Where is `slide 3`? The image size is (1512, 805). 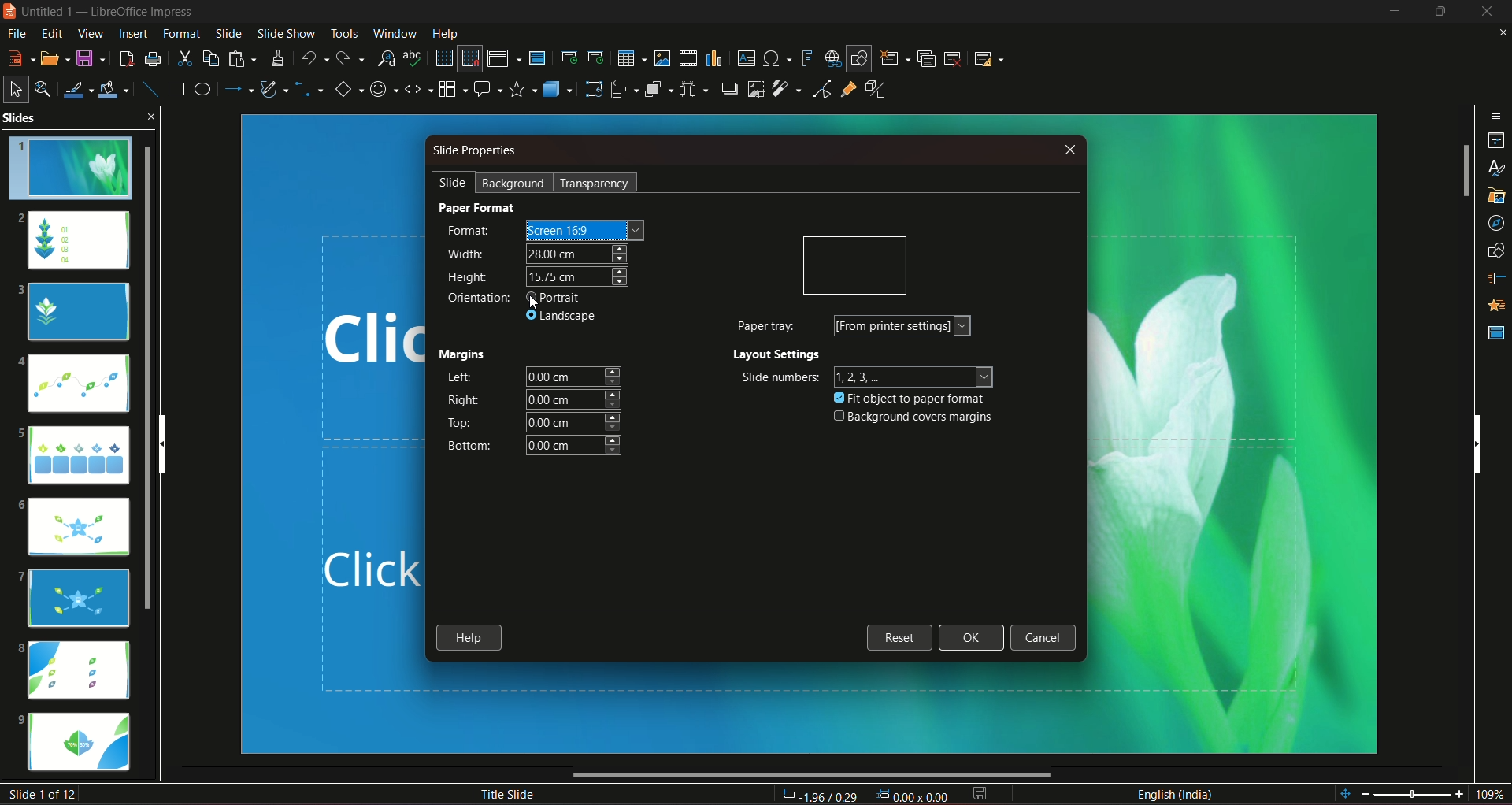 slide 3 is located at coordinates (77, 312).